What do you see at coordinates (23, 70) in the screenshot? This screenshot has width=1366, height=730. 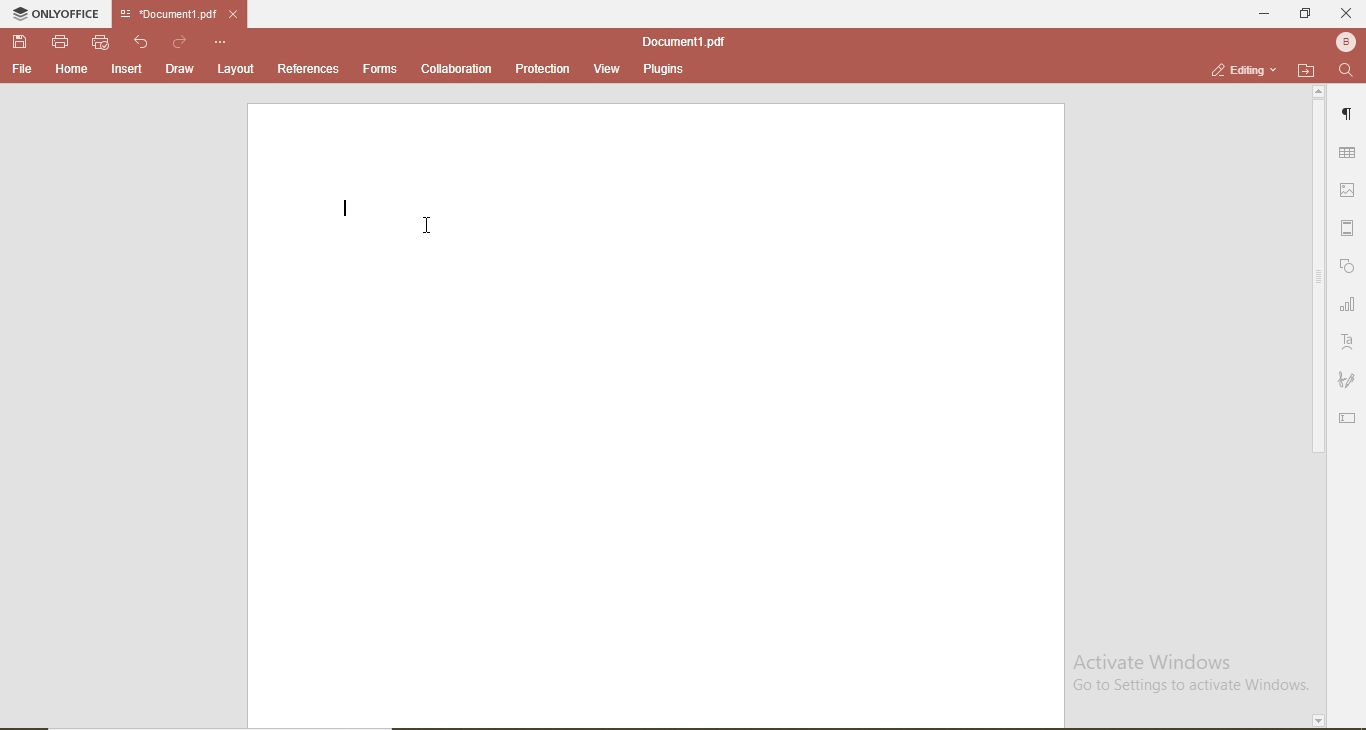 I see `file` at bounding box center [23, 70].